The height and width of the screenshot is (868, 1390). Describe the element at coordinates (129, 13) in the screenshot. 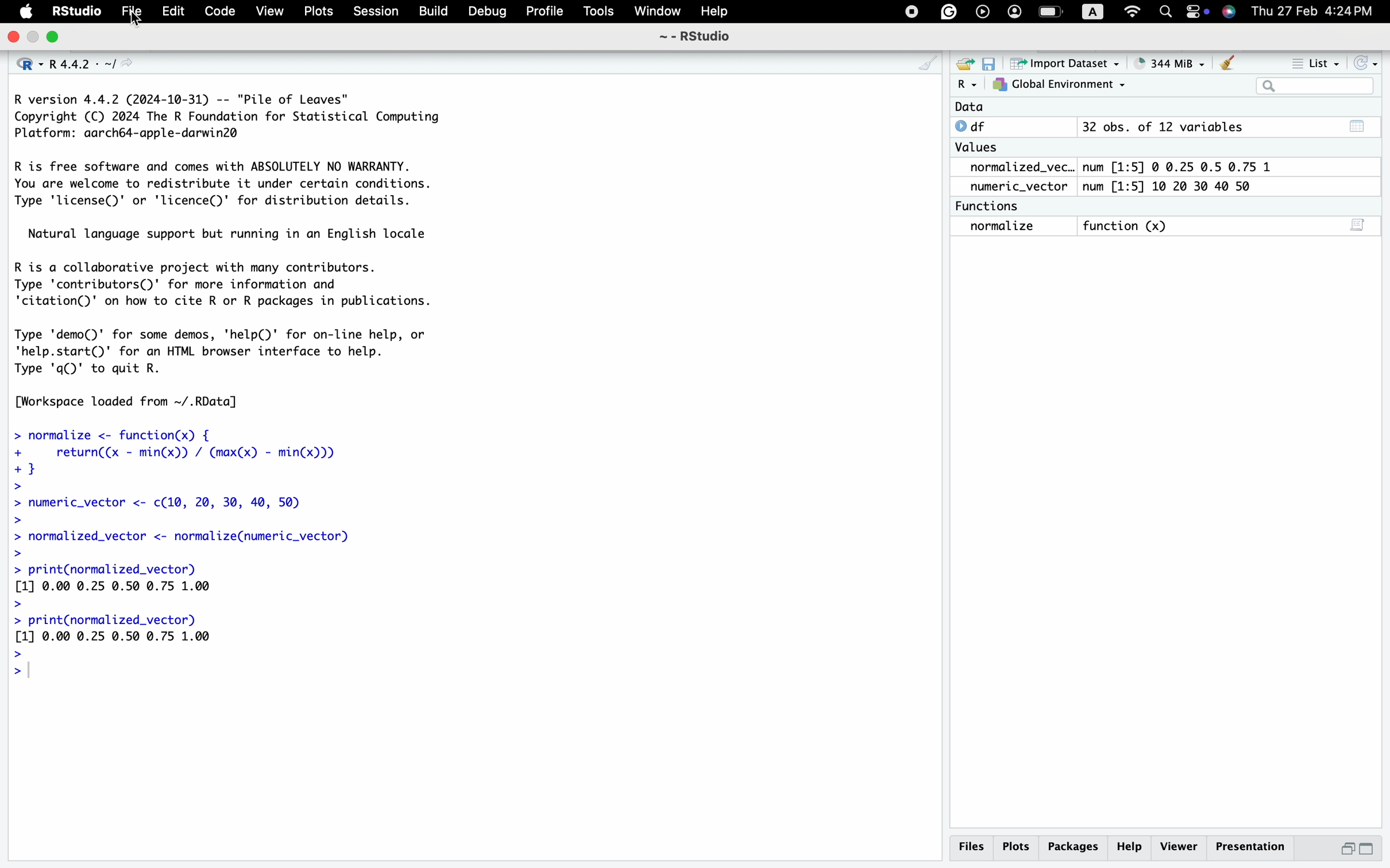

I see `File` at that location.